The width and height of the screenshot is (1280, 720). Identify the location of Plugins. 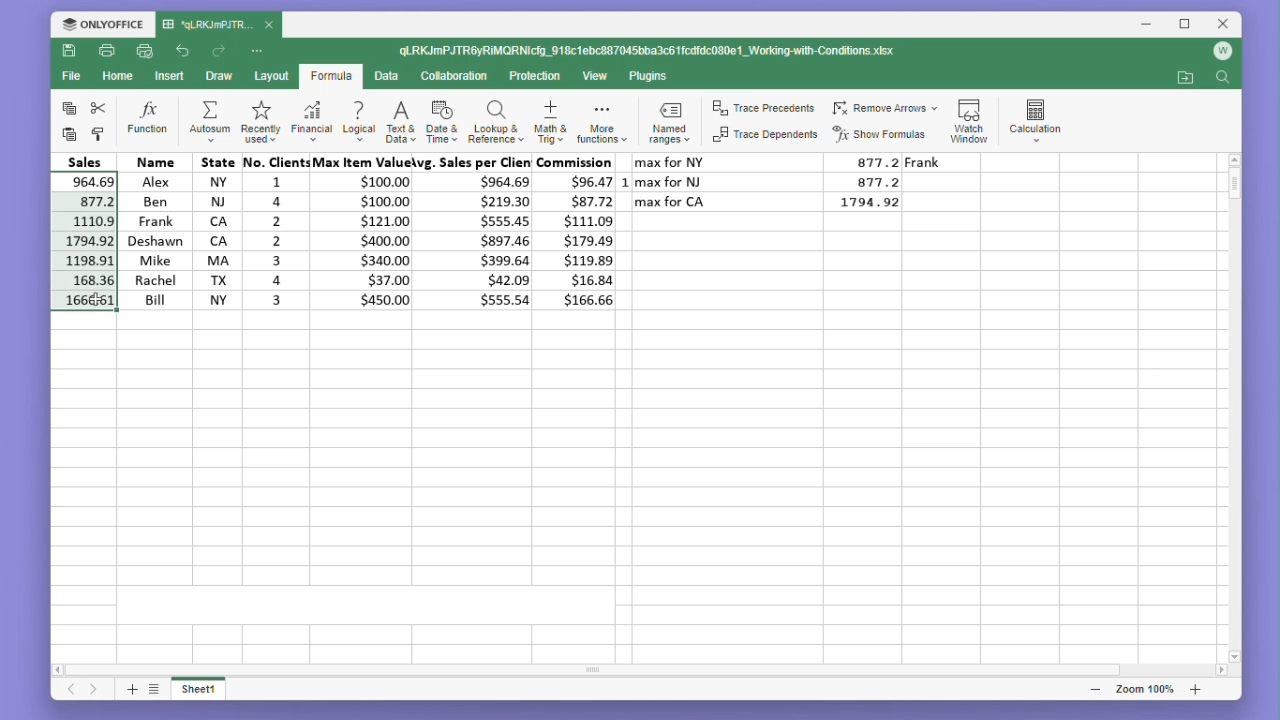
(650, 77).